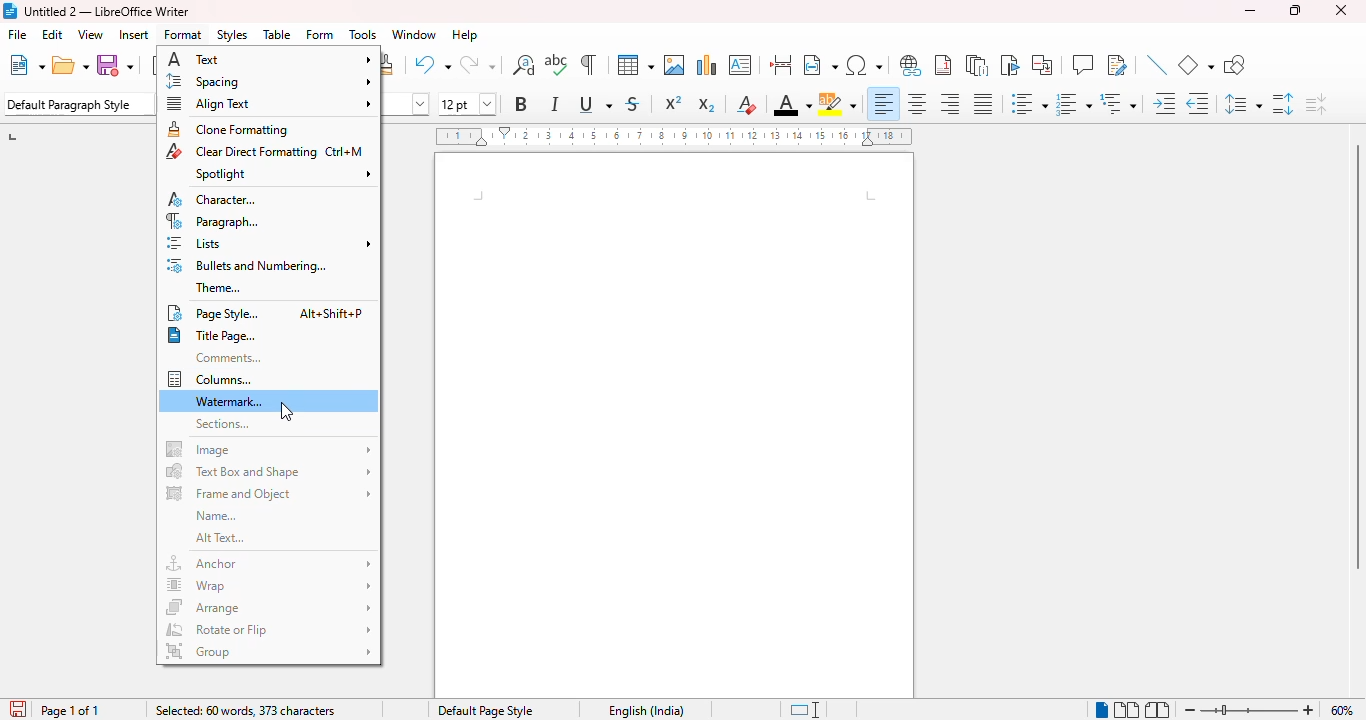 The height and width of the screenshot is (720, 1366). What do you see at coordinates (1250, 11) in the screenshot?
I see `minimize` at bounding box center [1250, 11].